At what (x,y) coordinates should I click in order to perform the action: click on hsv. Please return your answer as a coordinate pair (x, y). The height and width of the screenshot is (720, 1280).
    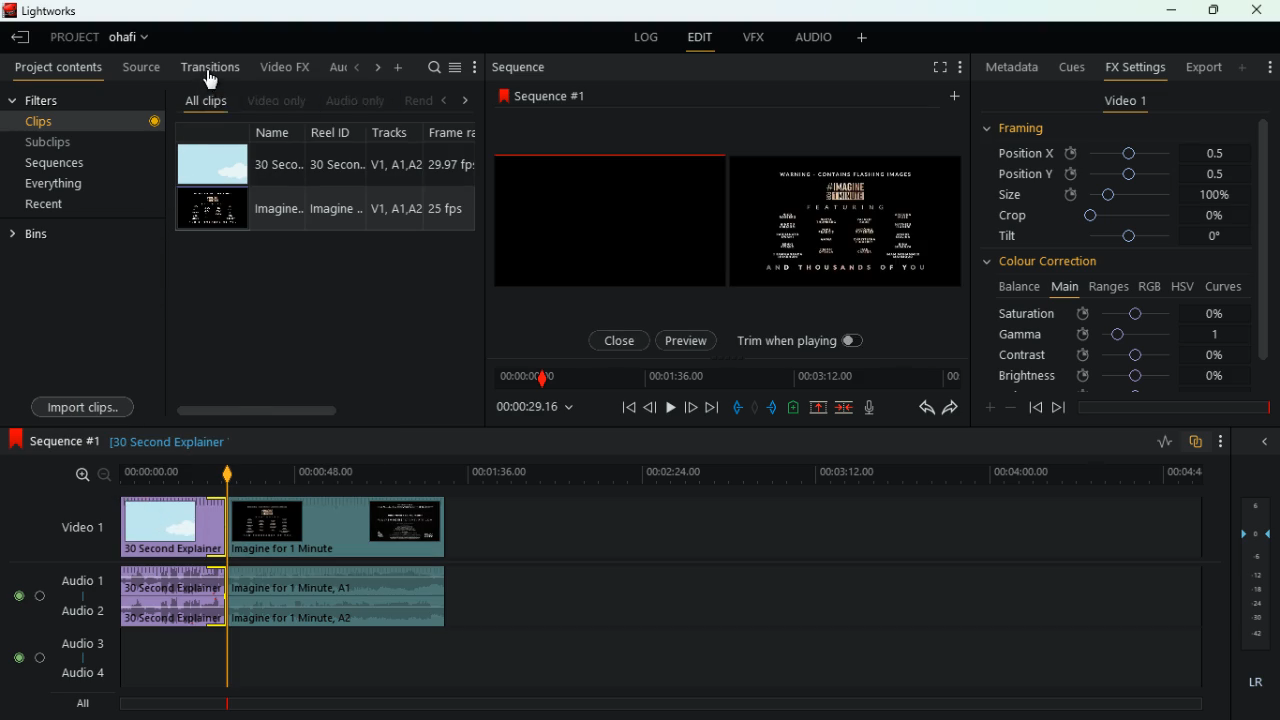
    Looking at the image, I should click on (1181, 285).